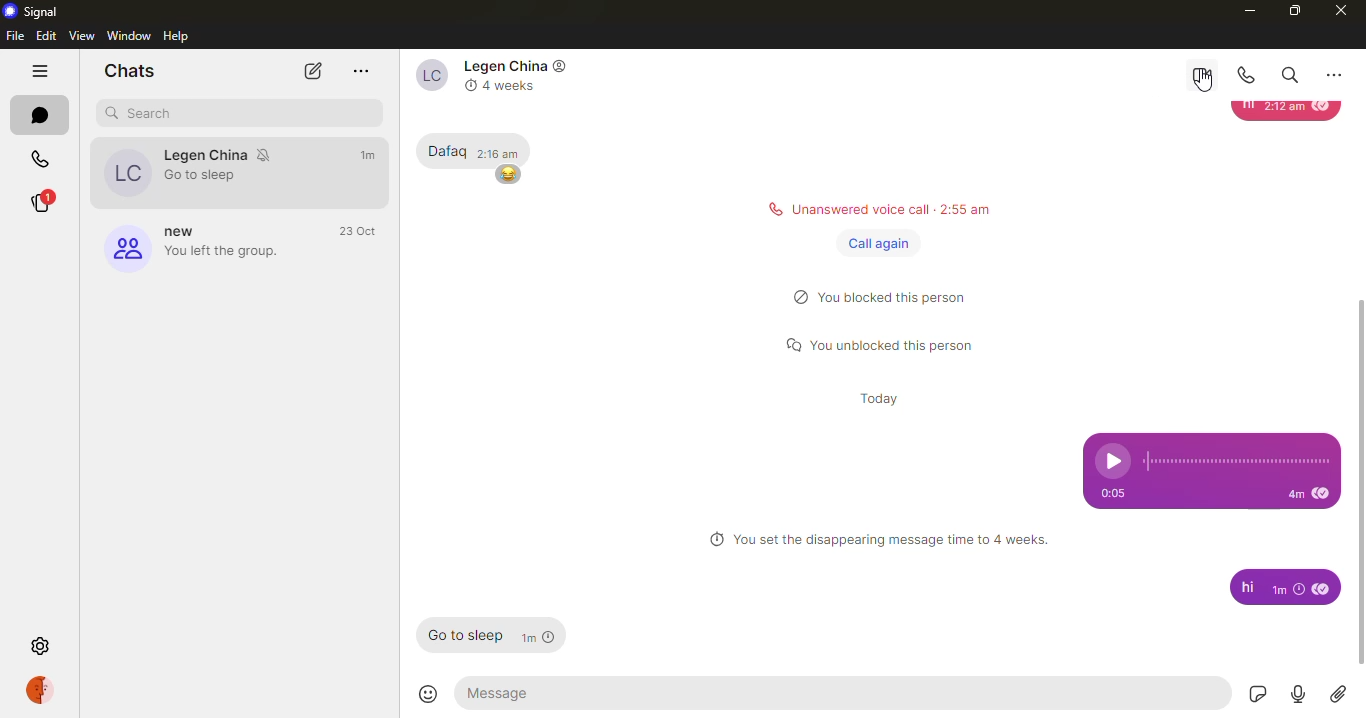  What do you see at coordinates (1289, 592) in the screenshot?
I see `1m` at bounding box center [1289, 592].